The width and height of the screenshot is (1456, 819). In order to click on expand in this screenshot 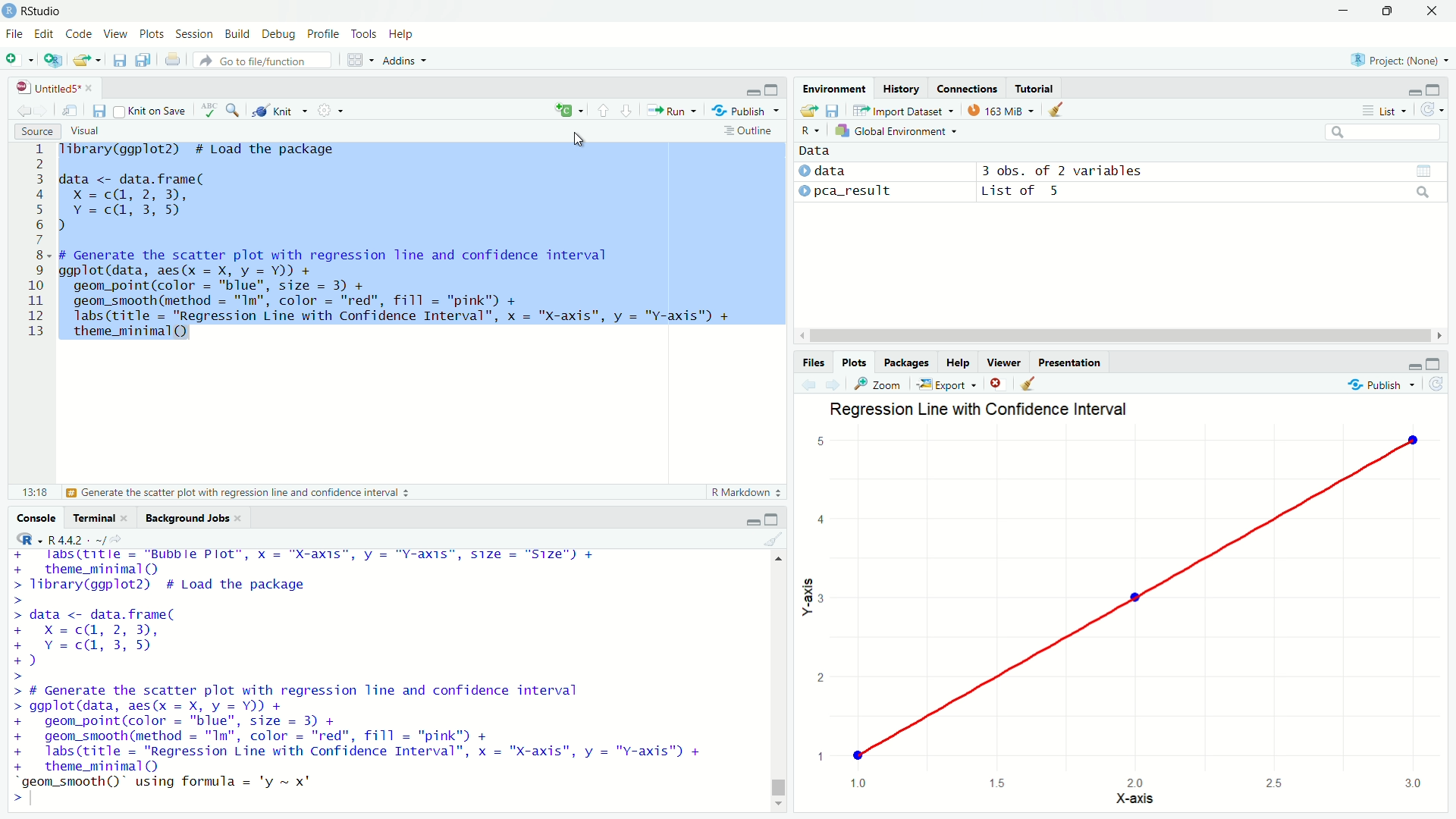, I will do `click(1434, 362)`.